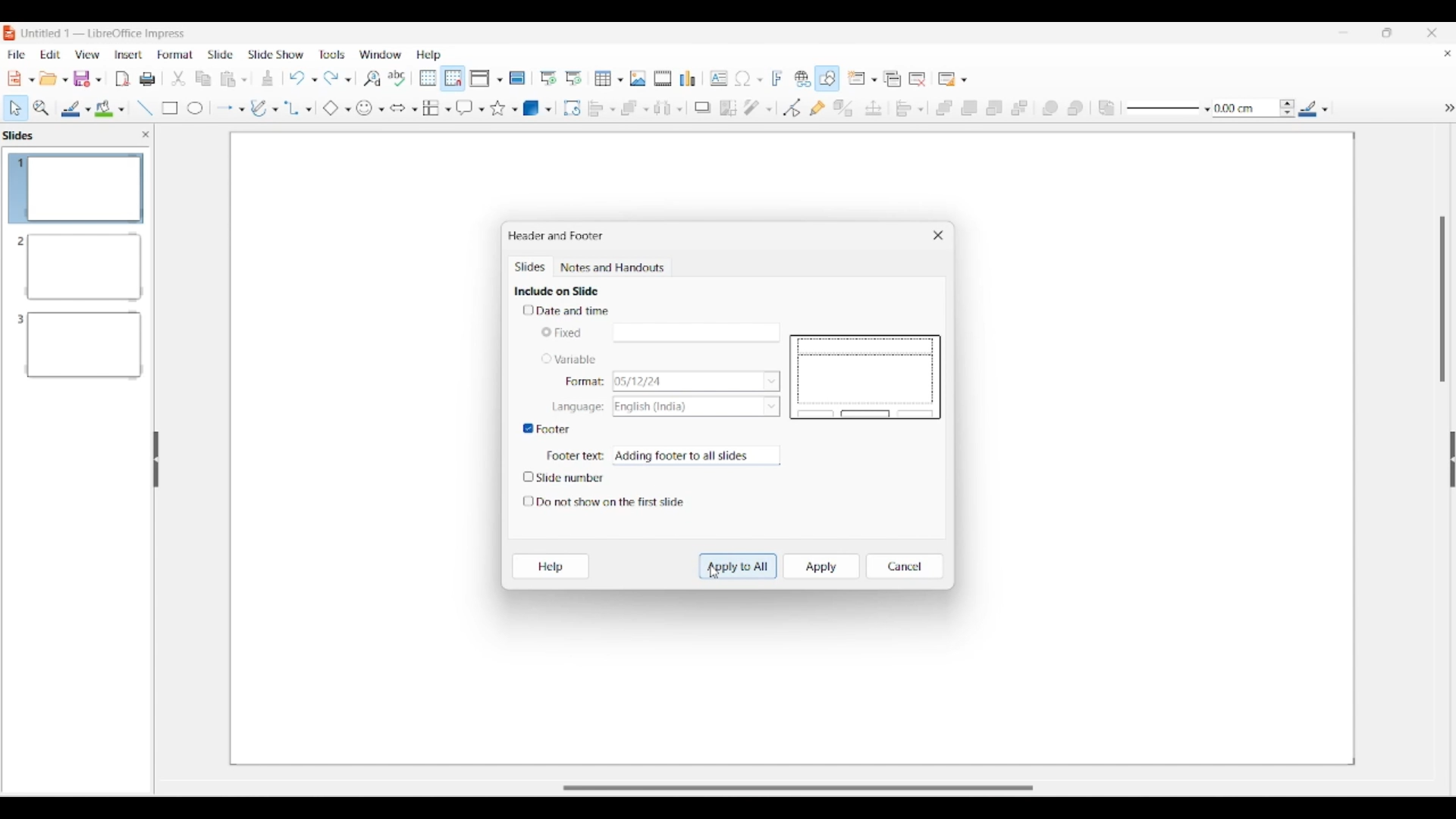  I want to click on Symbol shape options, so click(371, 108).